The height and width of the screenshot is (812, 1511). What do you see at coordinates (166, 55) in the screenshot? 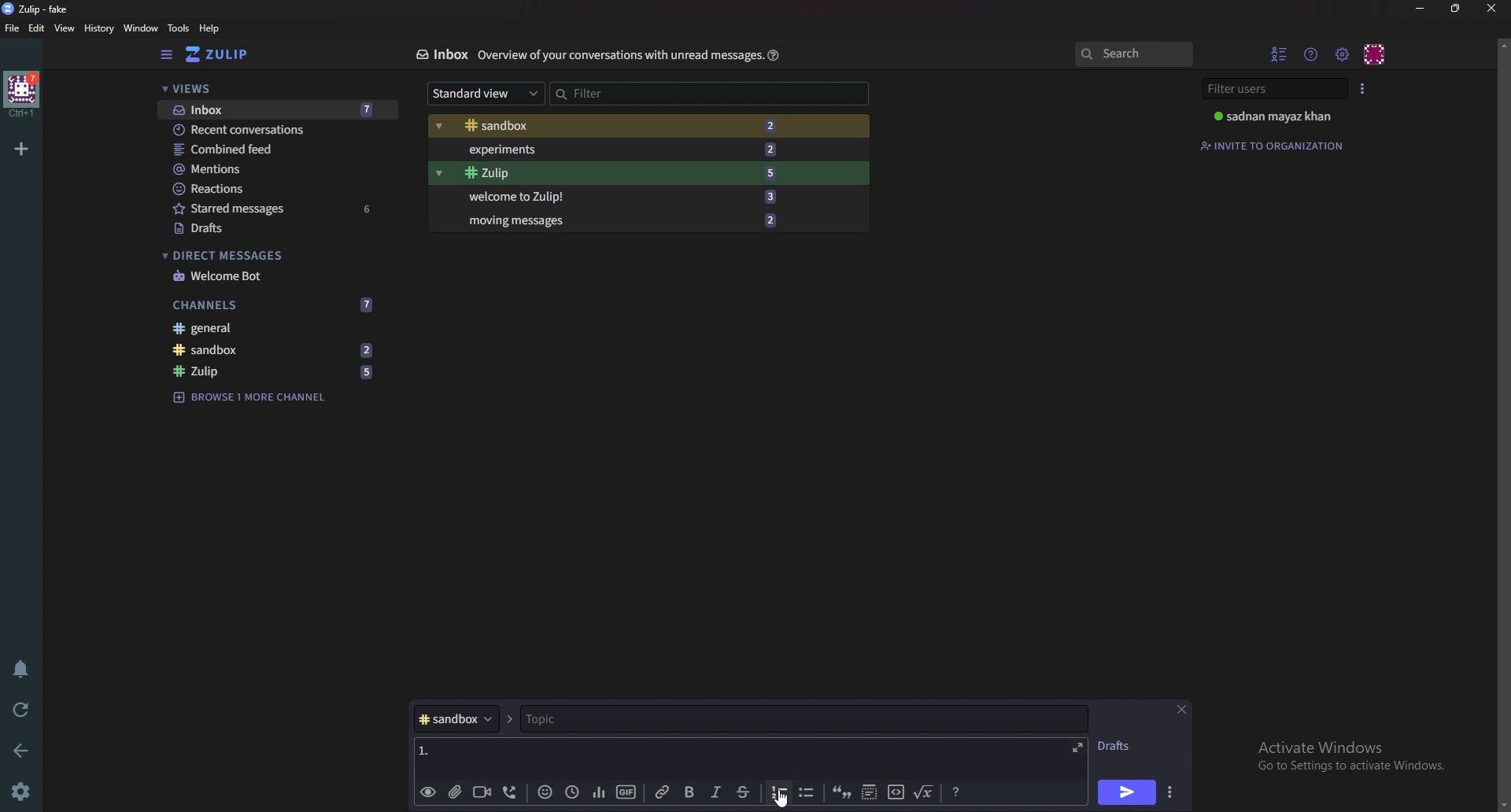
I see `Hide sidebar` at bounding box center [166, 55].